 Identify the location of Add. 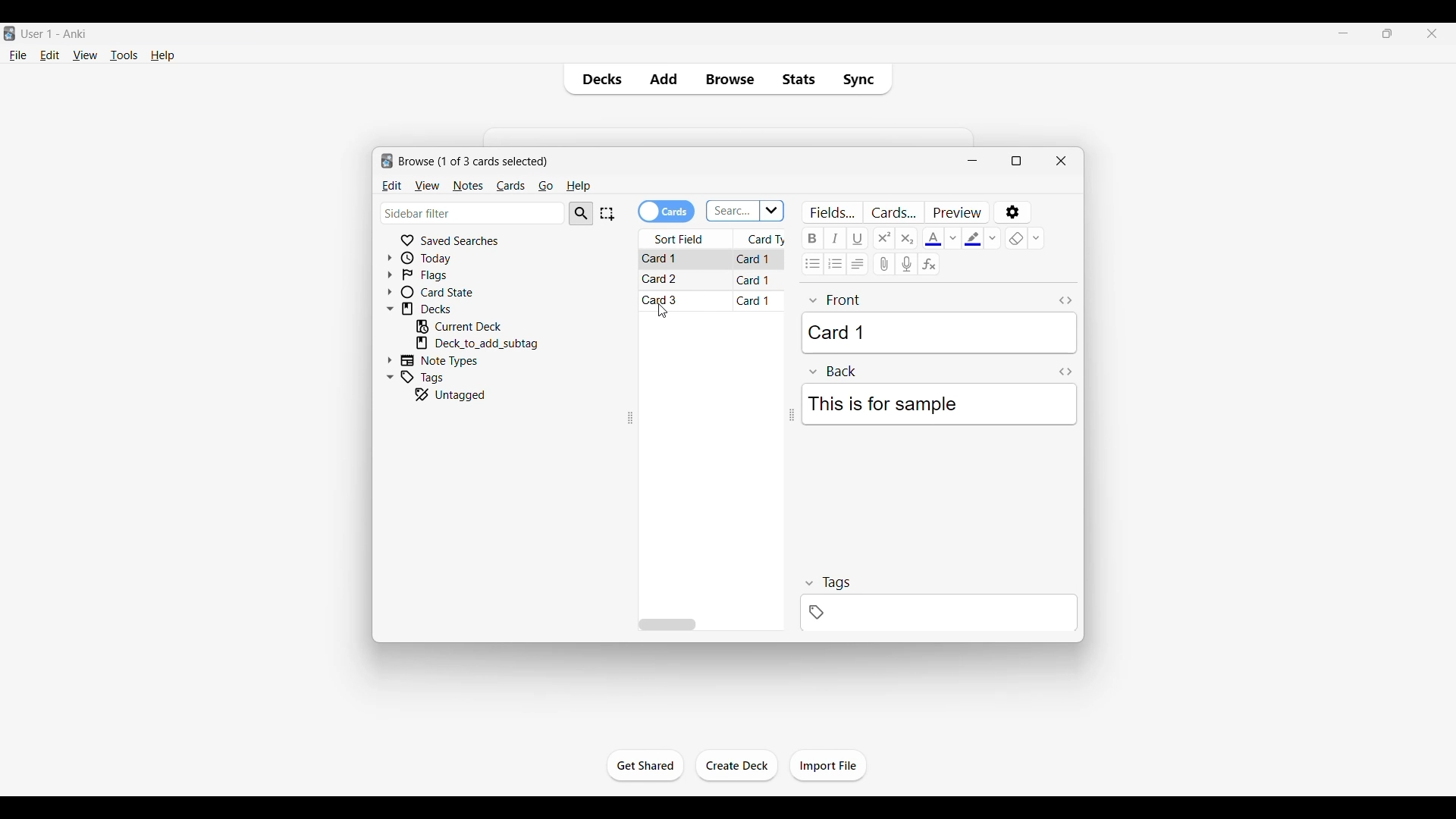
(663, 79).